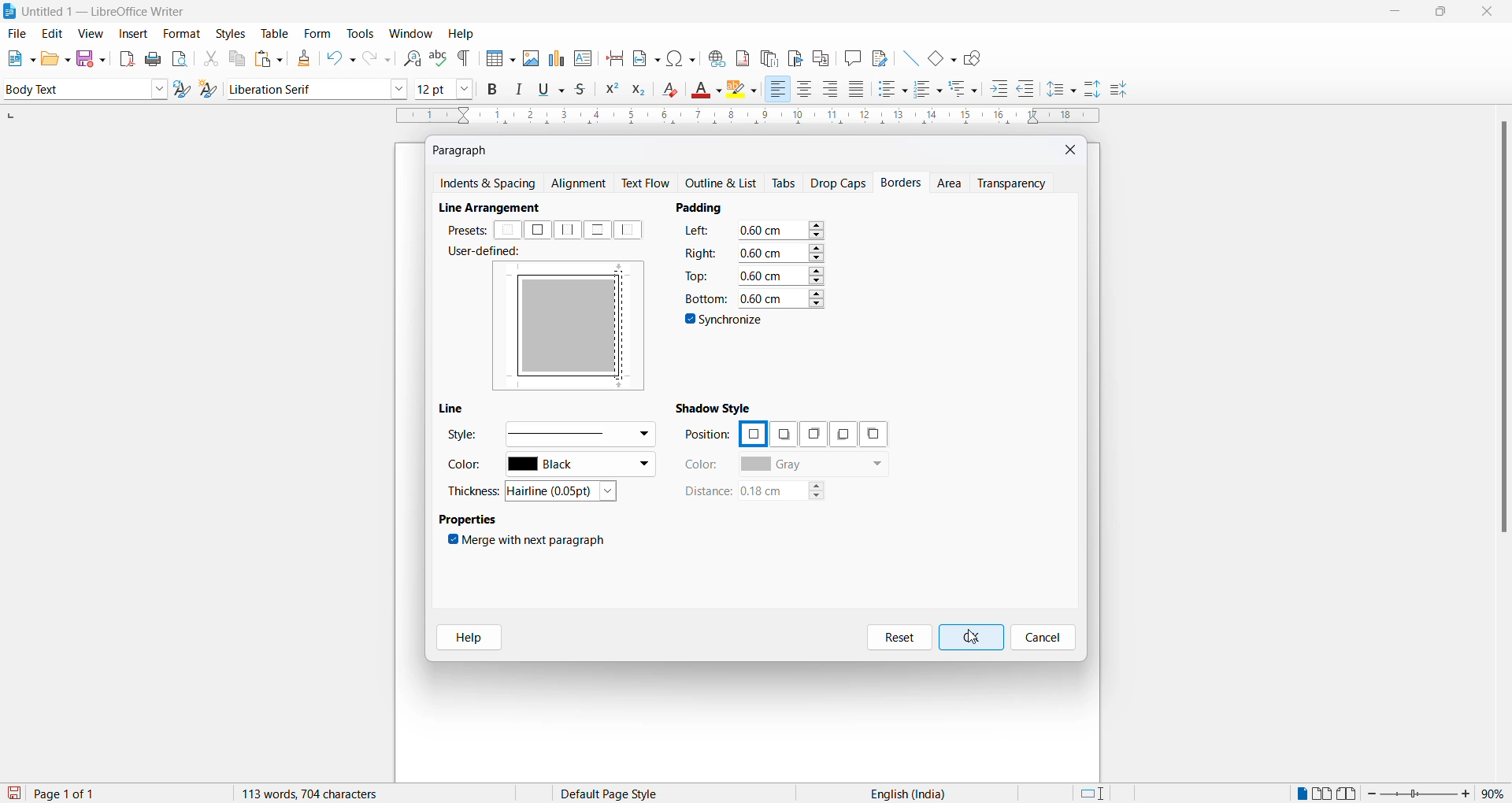 This screenshot has height=803, width=1512. What do you see at coordinates (1393, 14) in the screenshot?
I see `minimize` at bounding box center [1393, 14].